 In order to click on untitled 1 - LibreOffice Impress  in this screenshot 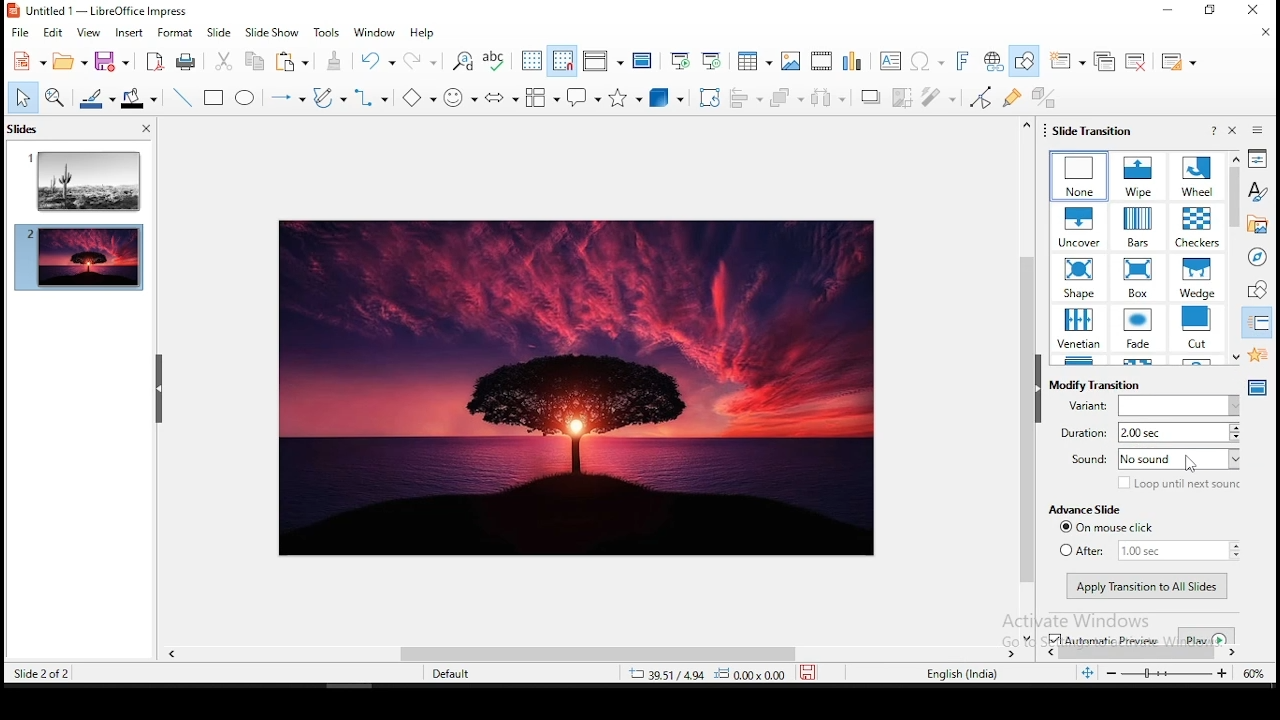, I will do `click(98, 11)`.